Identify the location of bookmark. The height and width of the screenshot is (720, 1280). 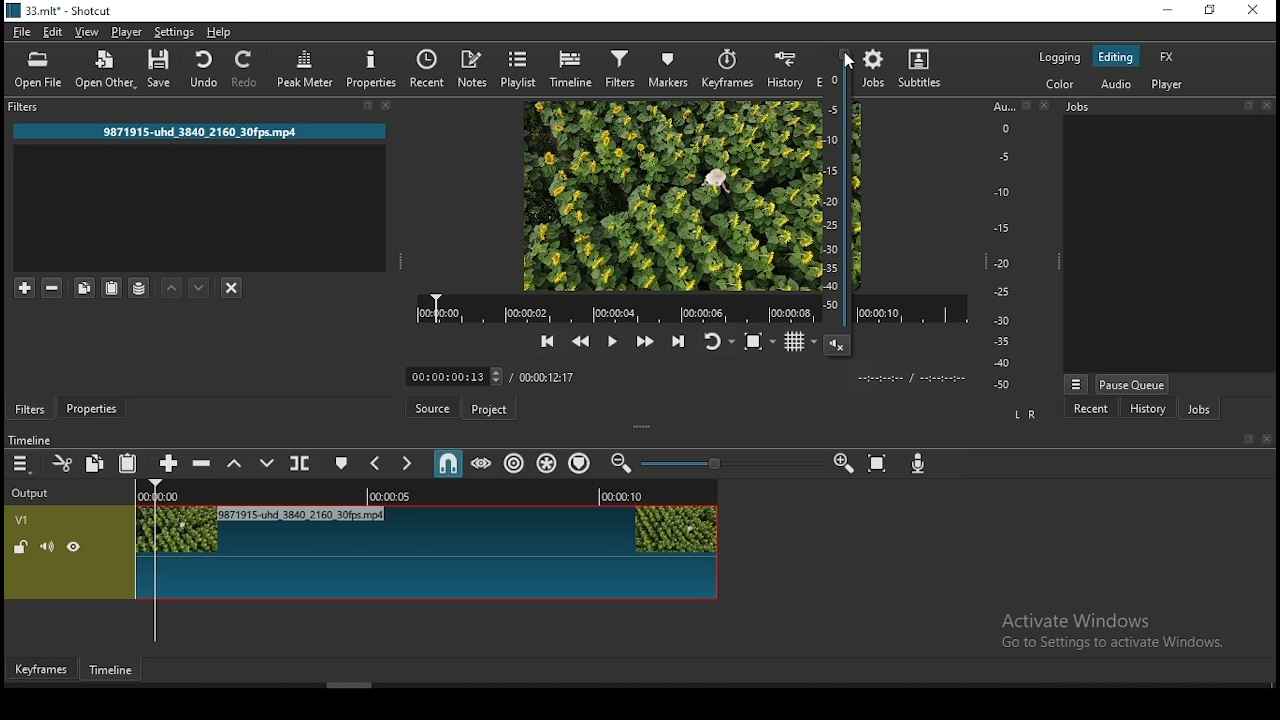
(1243, 110).